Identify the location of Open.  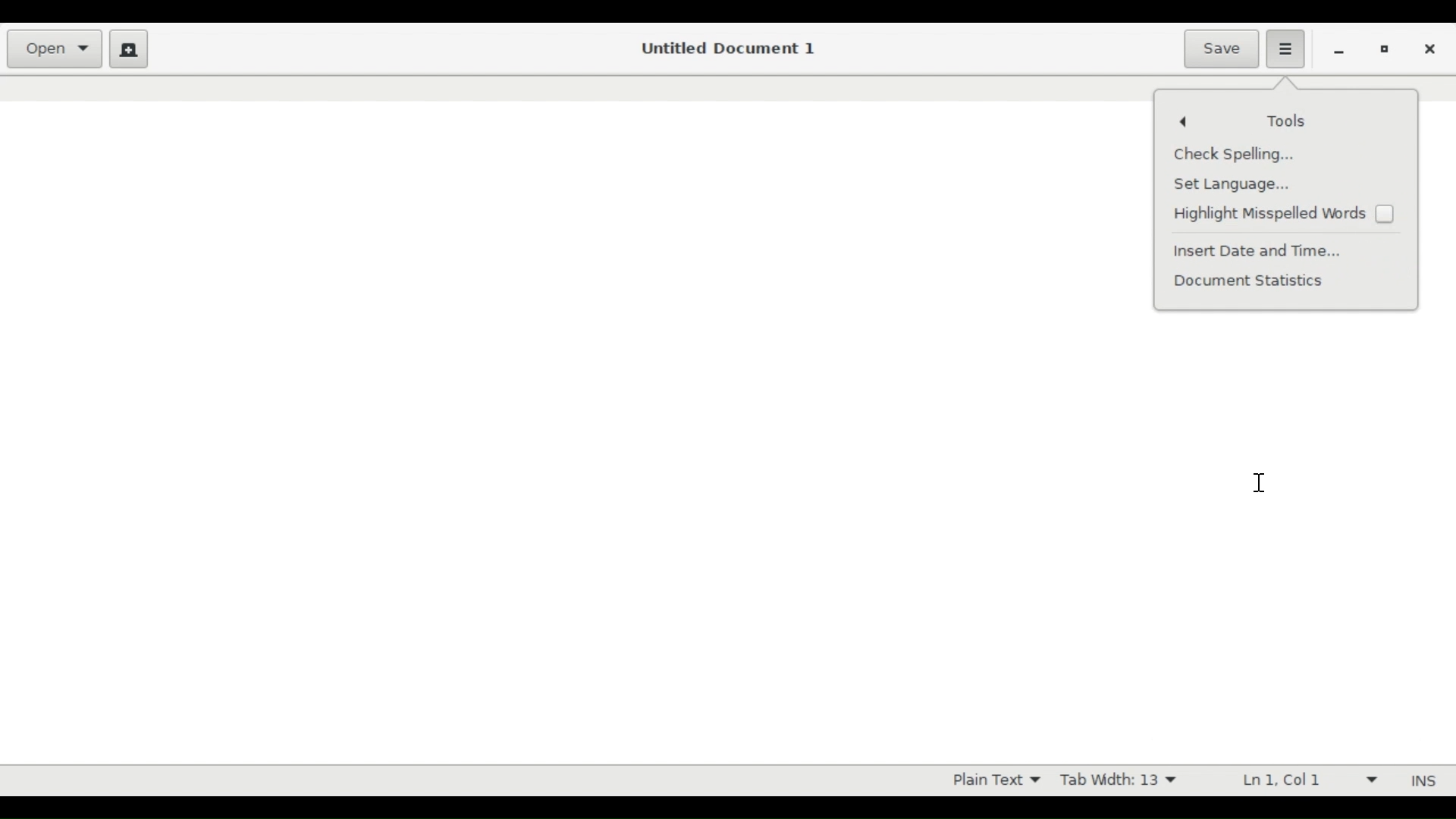
(53, 49).